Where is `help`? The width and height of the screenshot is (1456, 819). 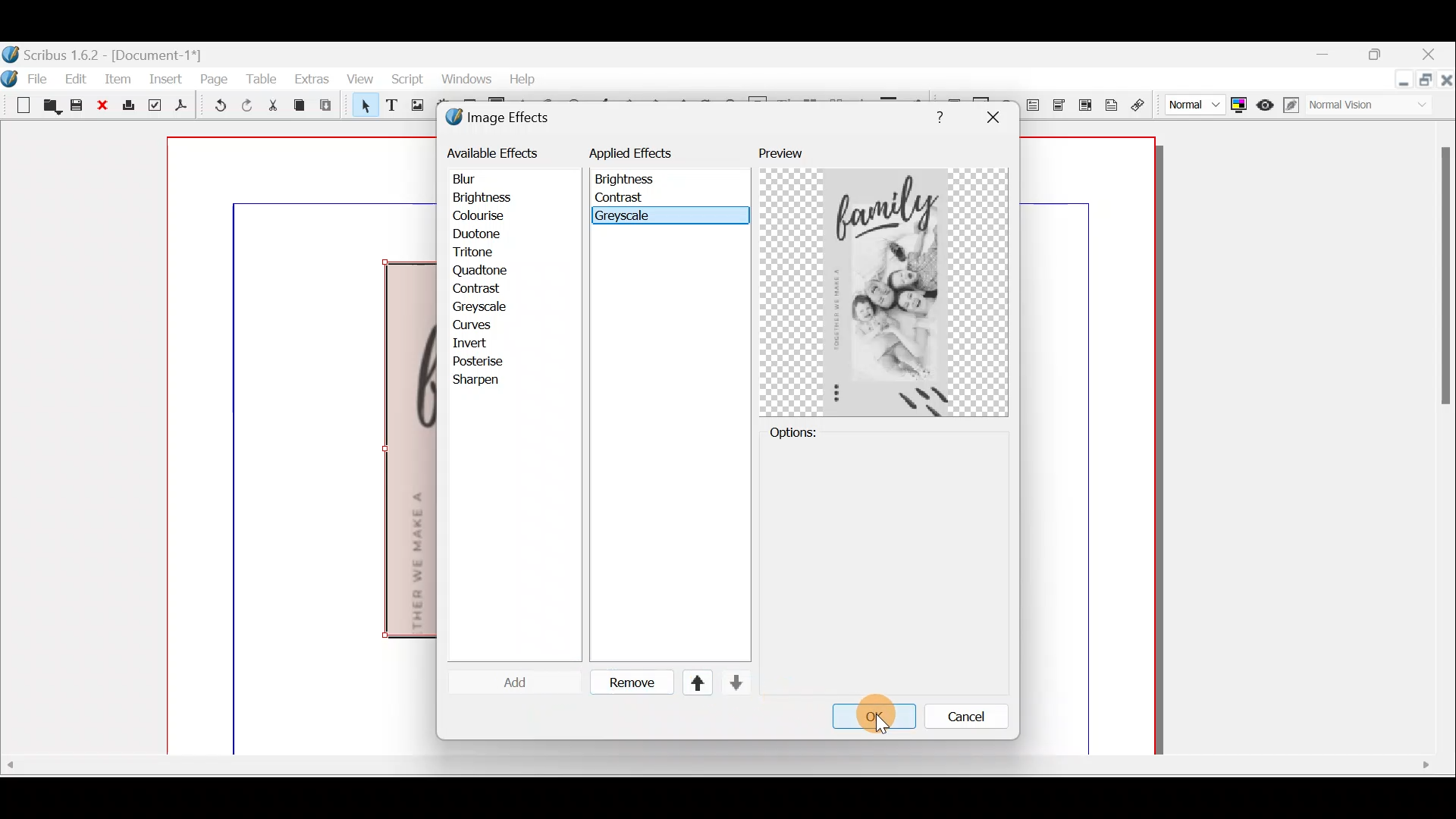 help is located at coordinates (526, 80).